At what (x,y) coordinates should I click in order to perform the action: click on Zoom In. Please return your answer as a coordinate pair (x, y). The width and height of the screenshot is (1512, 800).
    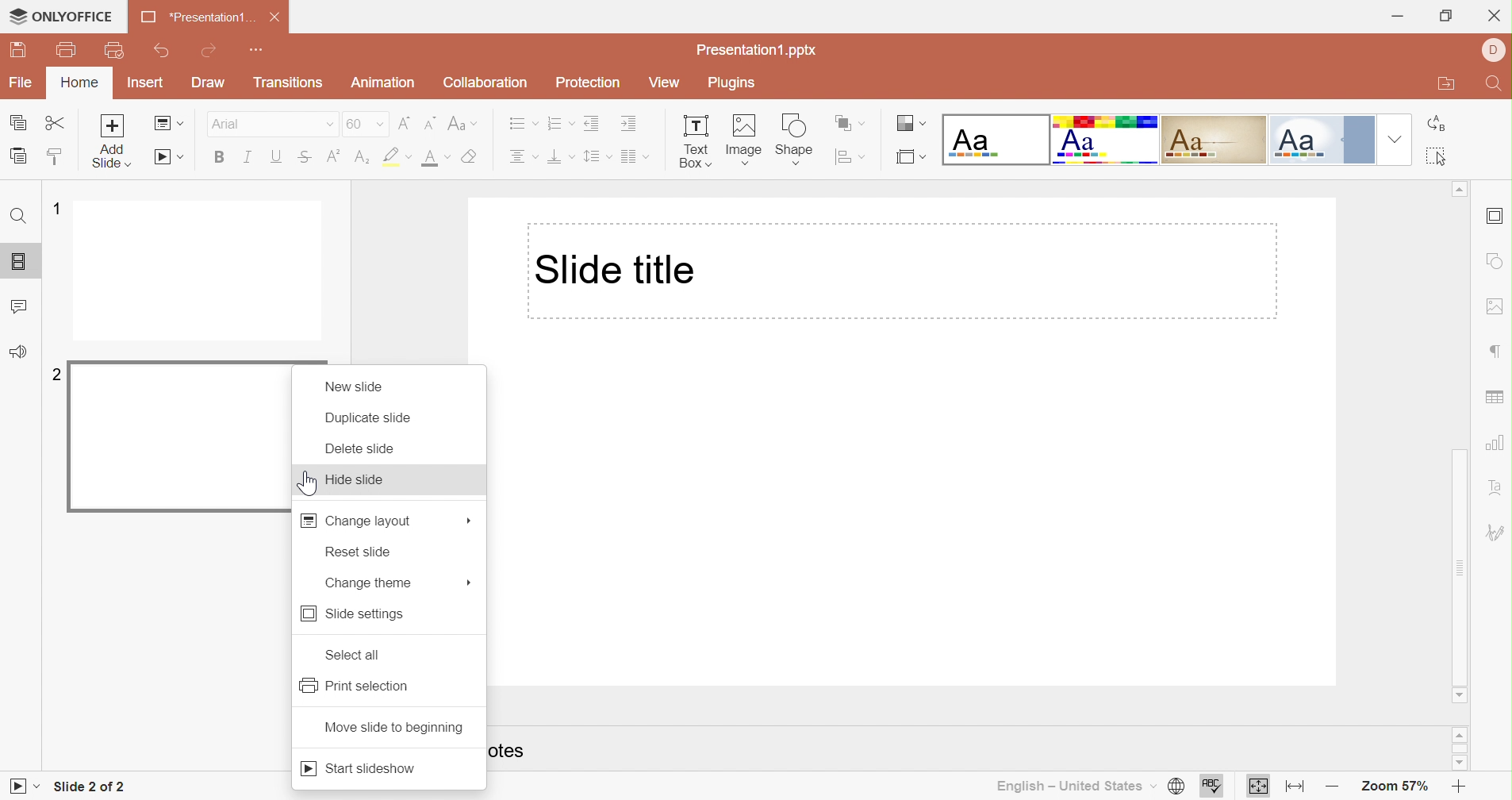
    Looking at the image, I should click on (1456, 783).